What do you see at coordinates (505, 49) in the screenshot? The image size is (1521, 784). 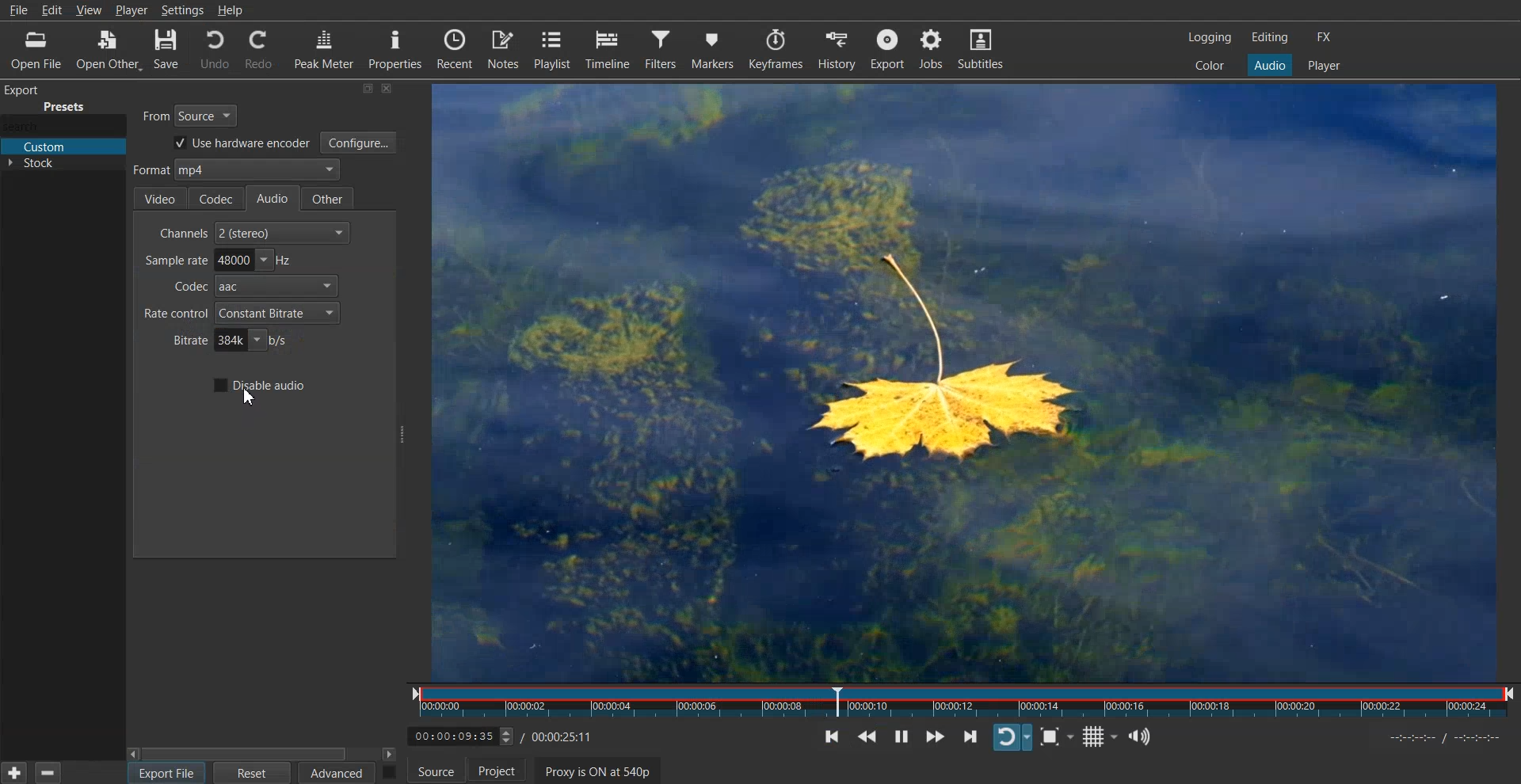 I see `Notes` at bounding box center [505, 49].